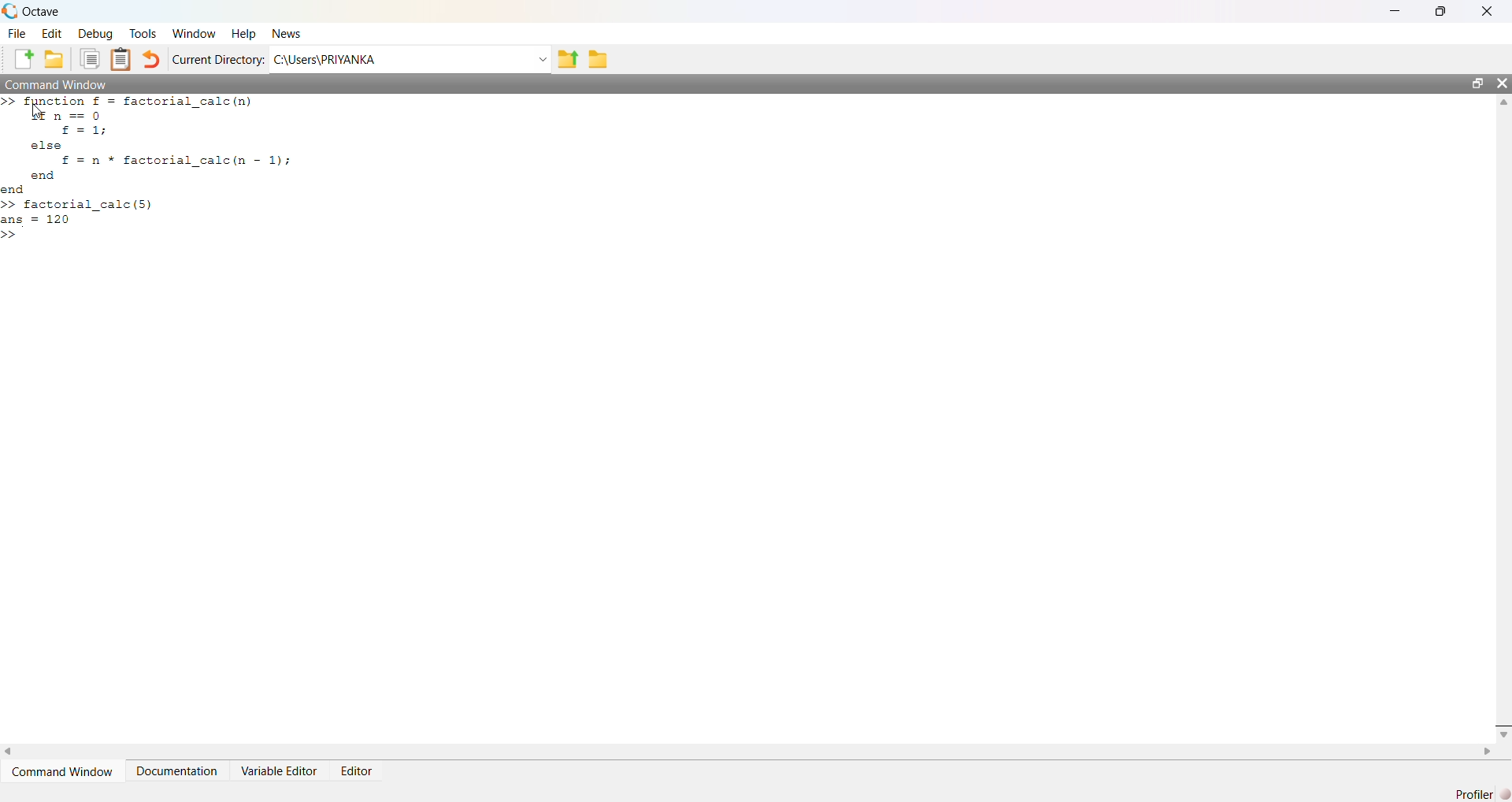  I want to click on news, so click(286, 34).